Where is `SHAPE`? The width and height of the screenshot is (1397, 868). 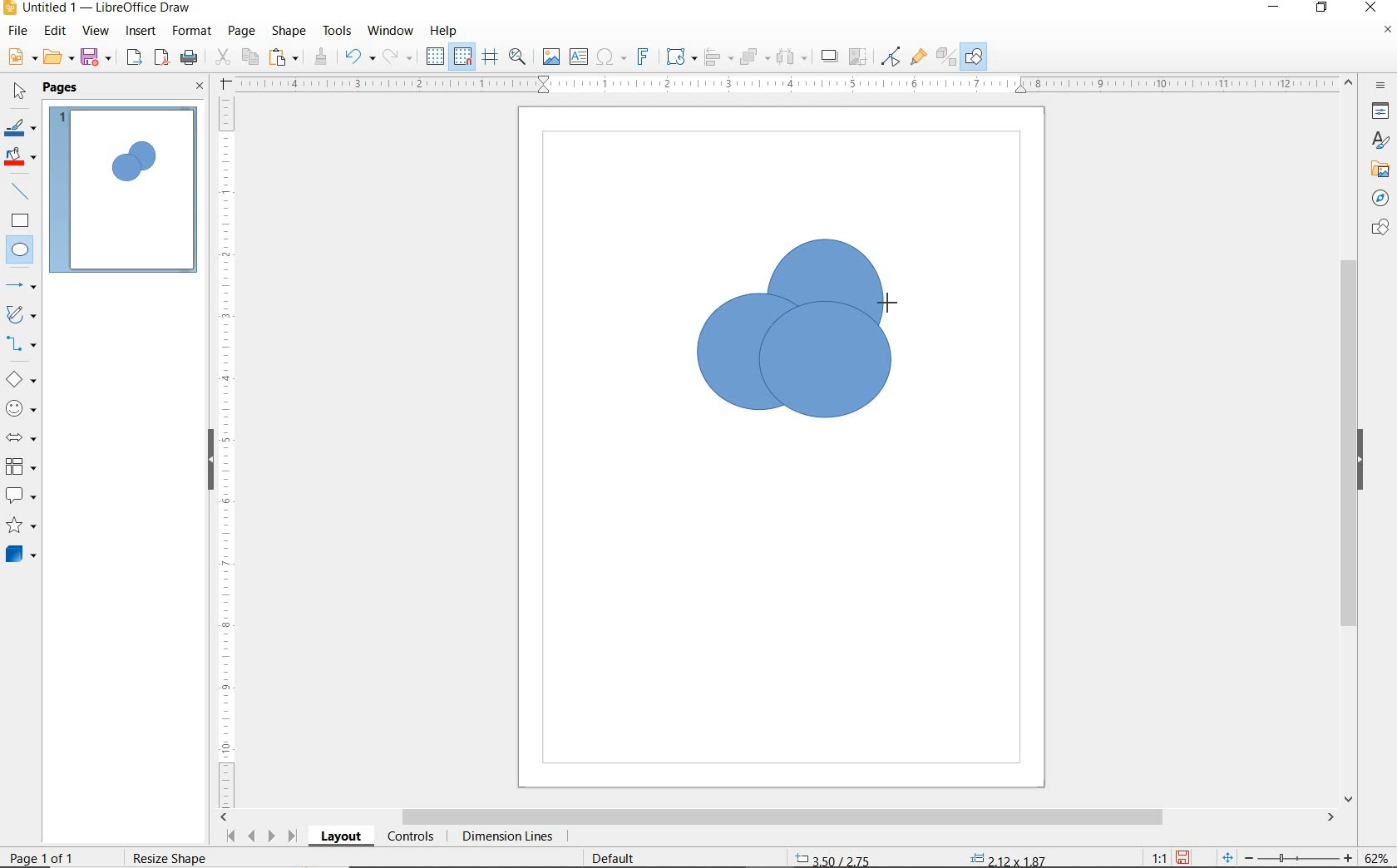 SHAPE is located at coordinates (290, 33).